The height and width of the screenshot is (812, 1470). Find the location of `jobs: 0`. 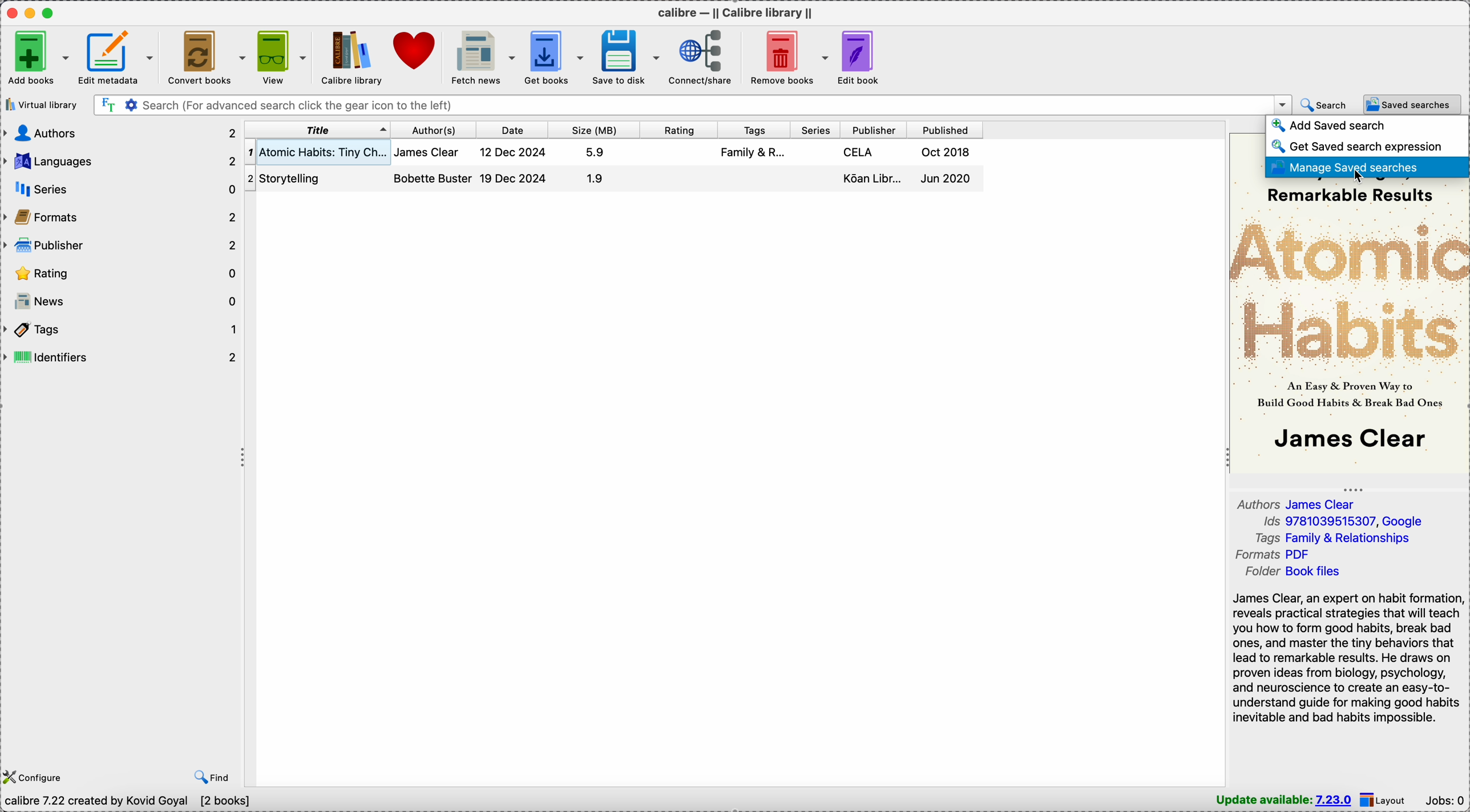

jobs: 0 is located at coordinates (1446, 802).